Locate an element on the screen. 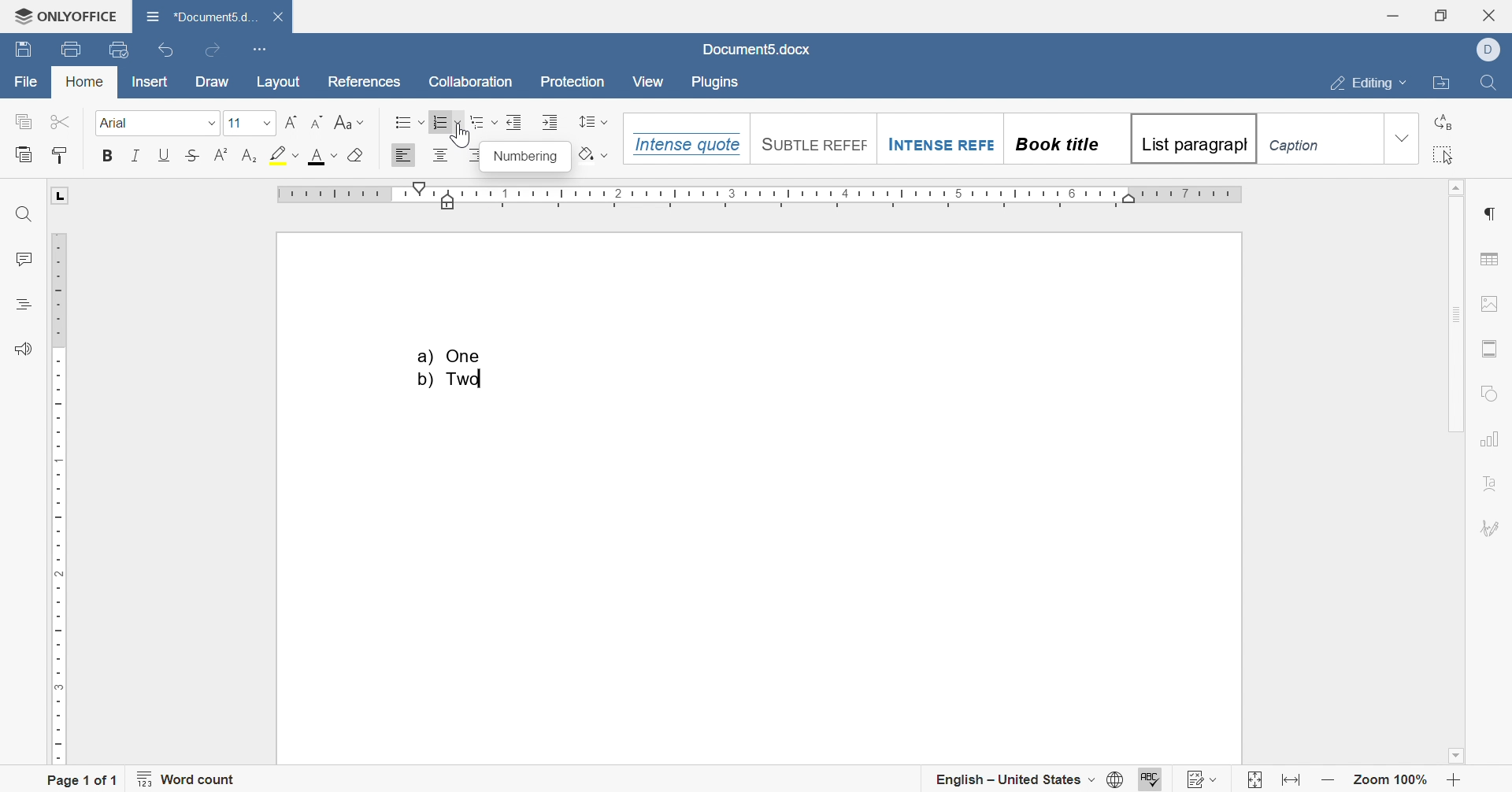  ruler is located at coordinates (57, 498).